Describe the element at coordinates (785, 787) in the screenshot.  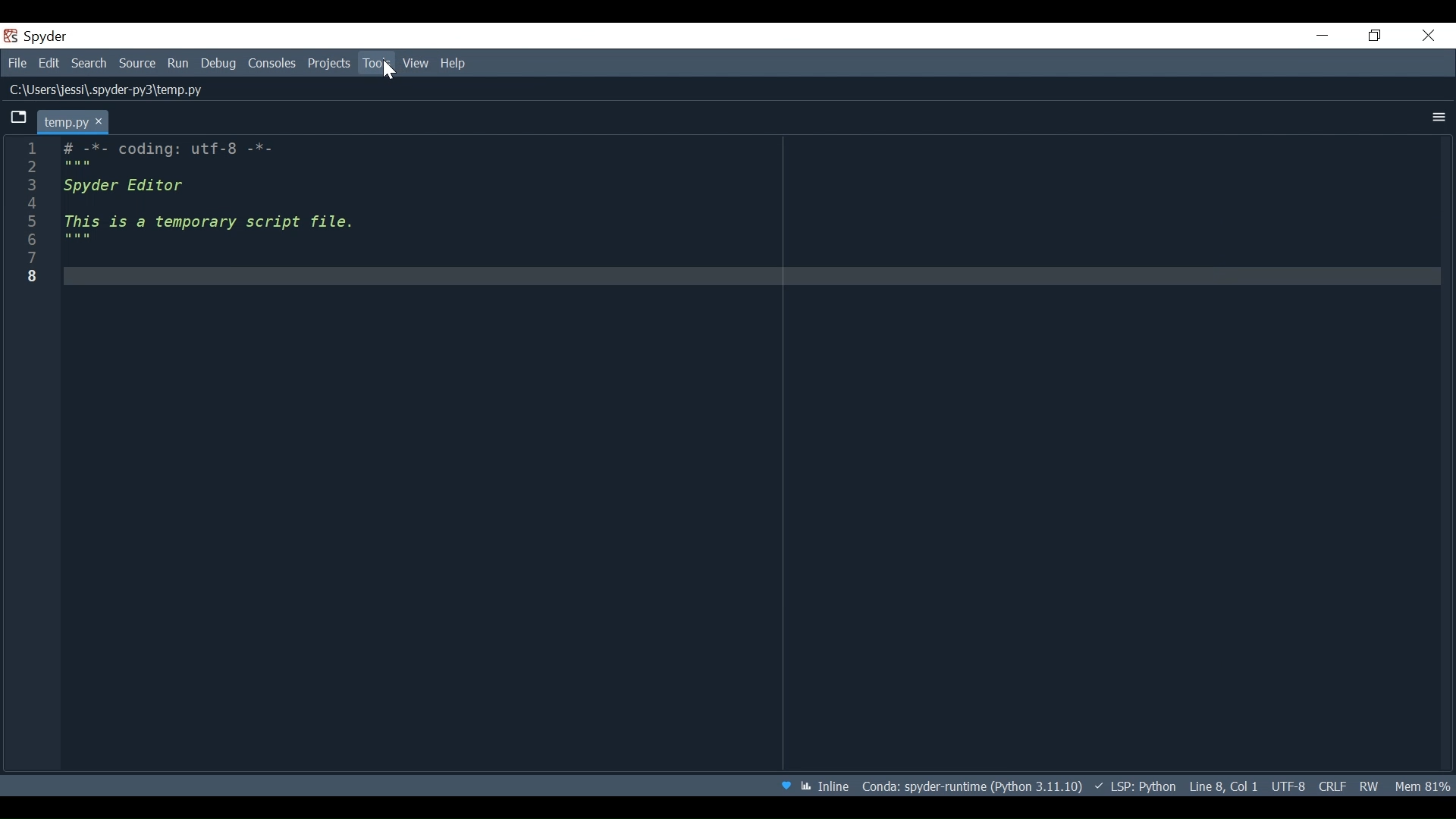
I see `Help Spyder` at that location.